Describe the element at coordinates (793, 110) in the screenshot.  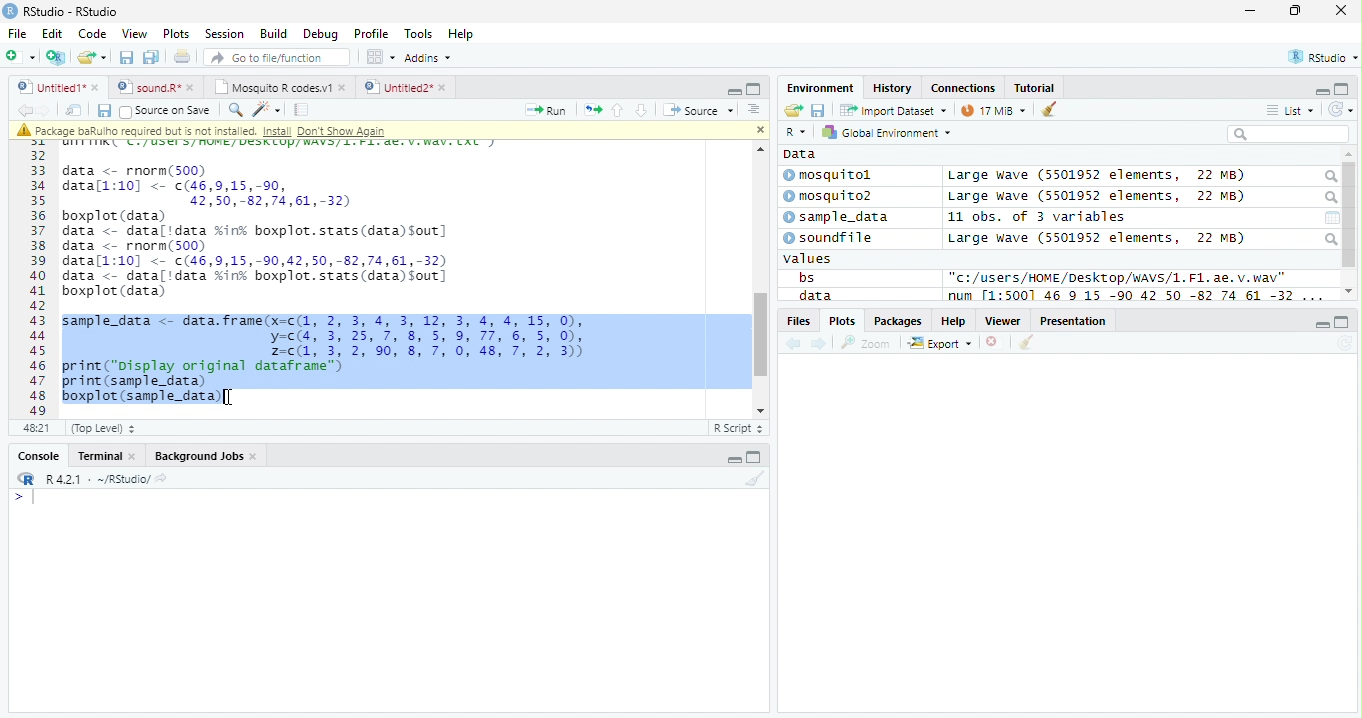
I see `Folder` at that location.